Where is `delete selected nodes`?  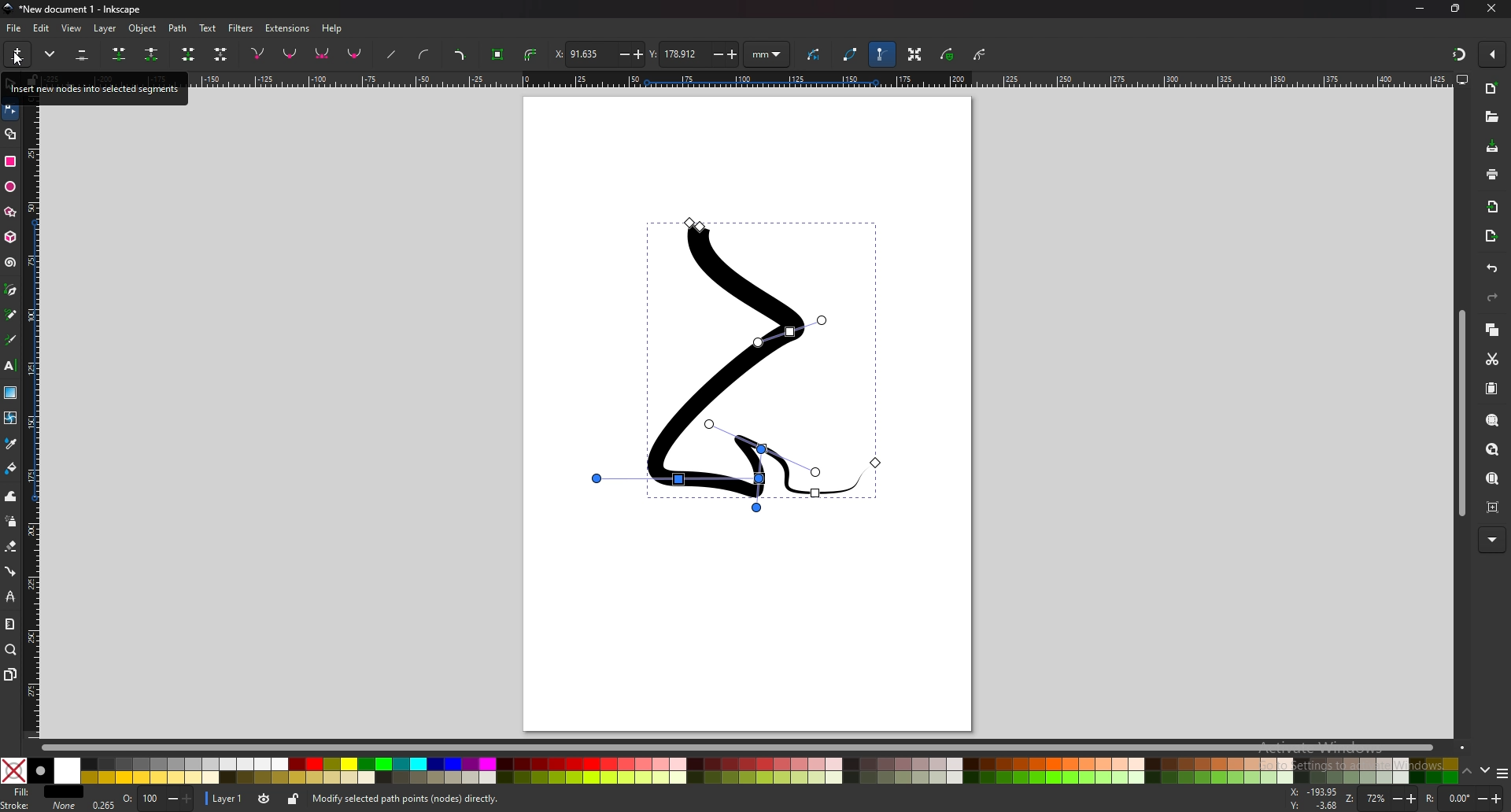 delete selected nodes is located at coordinates (83, 55).